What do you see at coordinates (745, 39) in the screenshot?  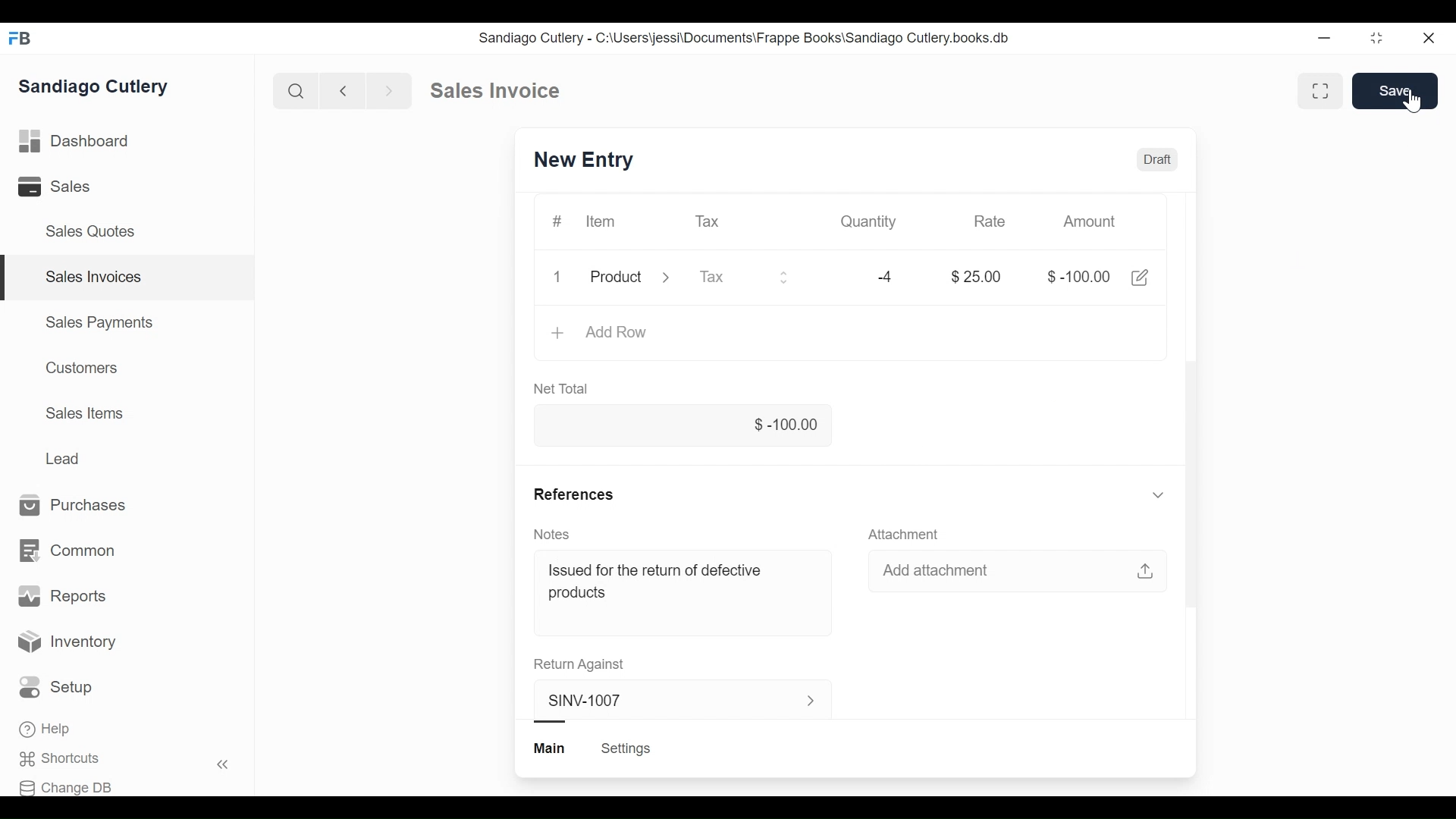 I see `Sandiago Cutlery - C:\Users\jessi\Documents\Frappe Books\Sandiago Cutlery.books.db` at bounding box center [745, 39].